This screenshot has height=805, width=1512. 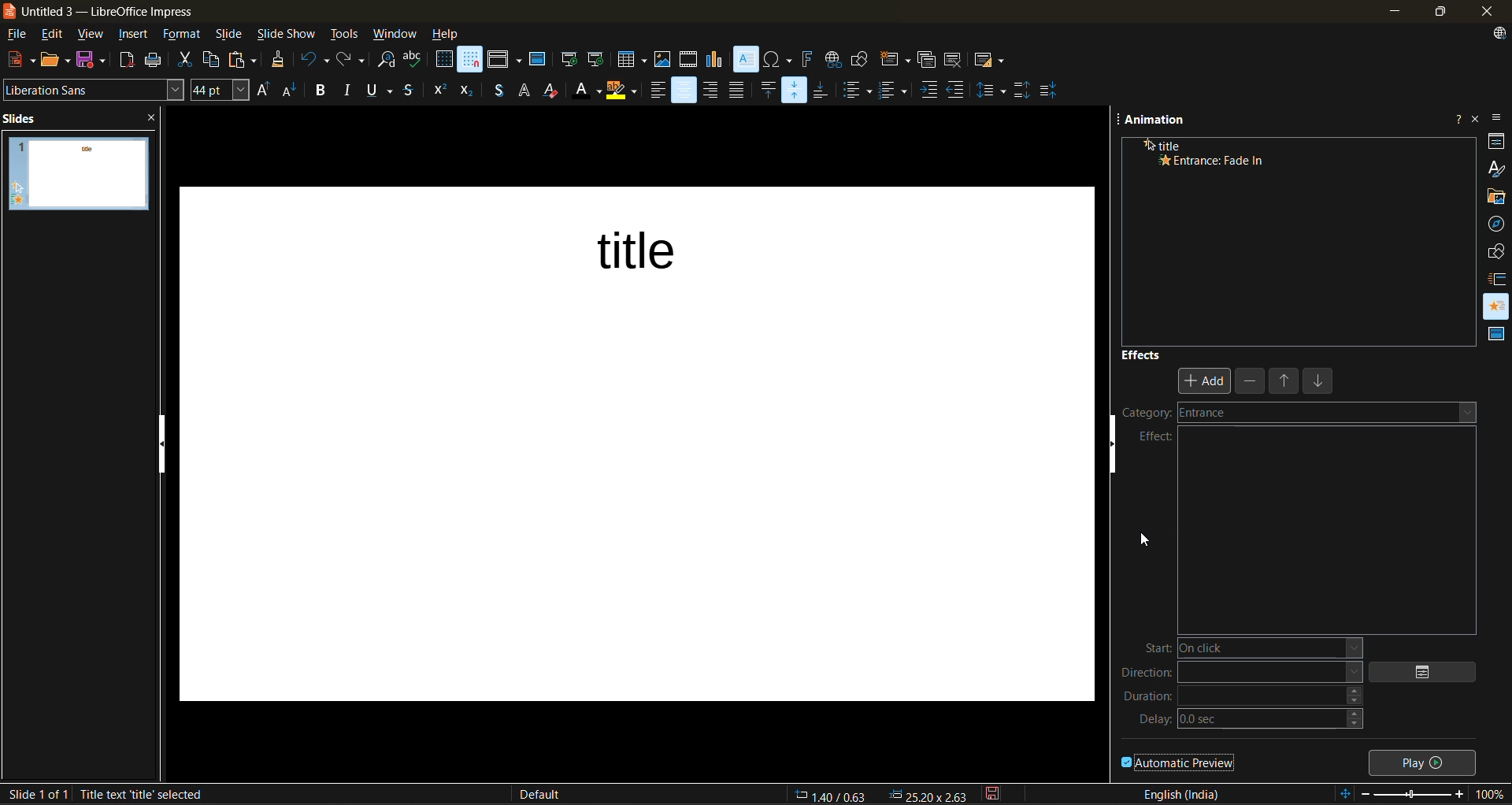 What do you see at coordinates (1502, 35) in the screenshot?
I see `update` at bounding box center [1502, 35].